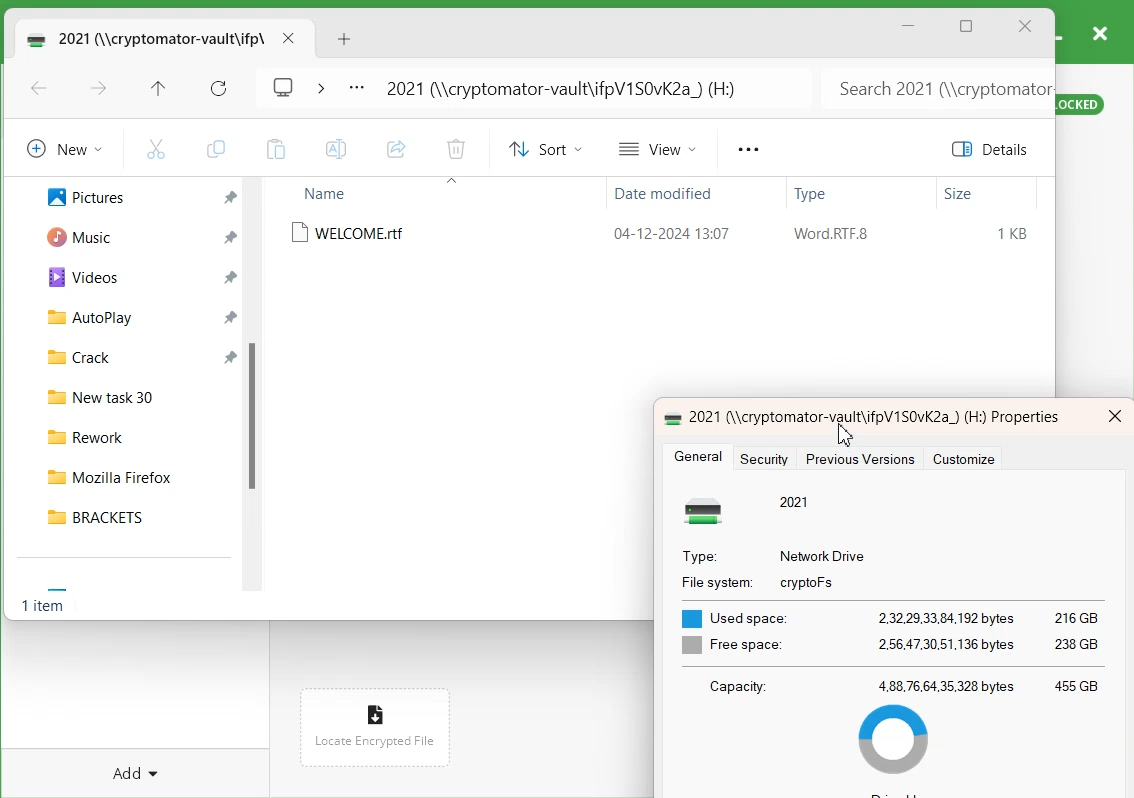 This screenshot has height=798, width=1134. I want to click on Rework, so click(132, 434).